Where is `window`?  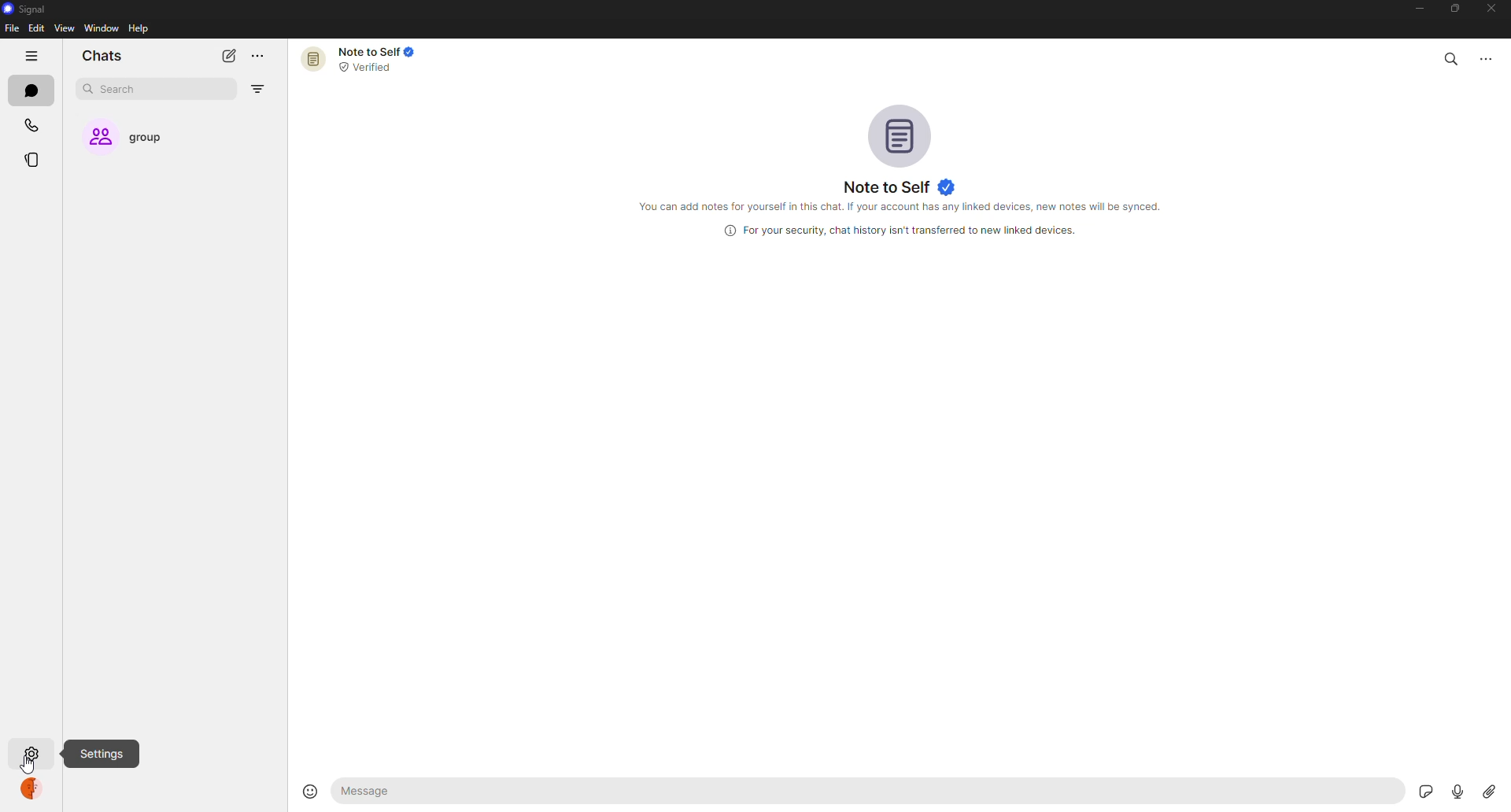
window is located at coordinates (102, 29).